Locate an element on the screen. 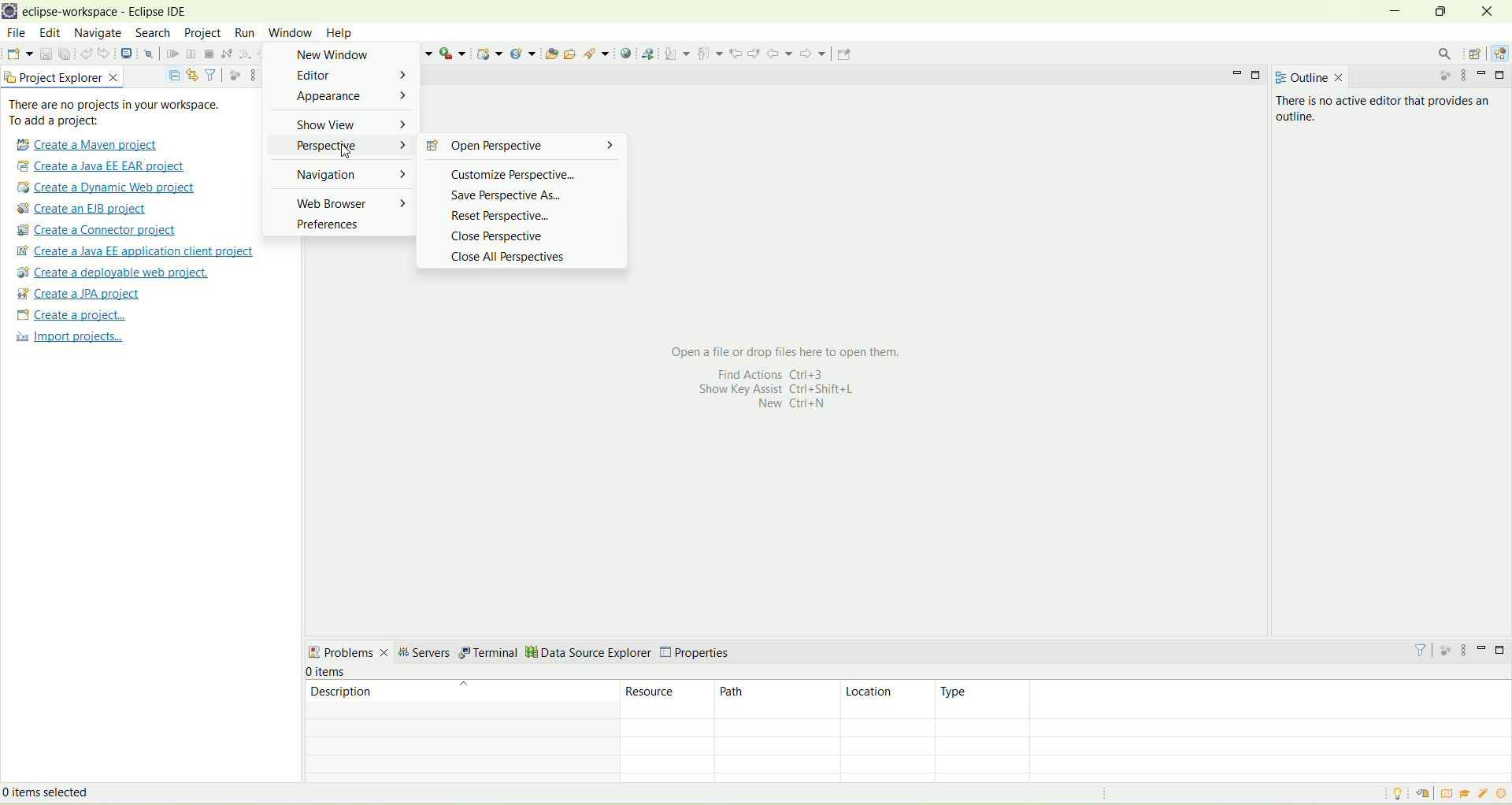 This screenshot has width=1512, height=805. pin editor is located at coordinates (843, 56).